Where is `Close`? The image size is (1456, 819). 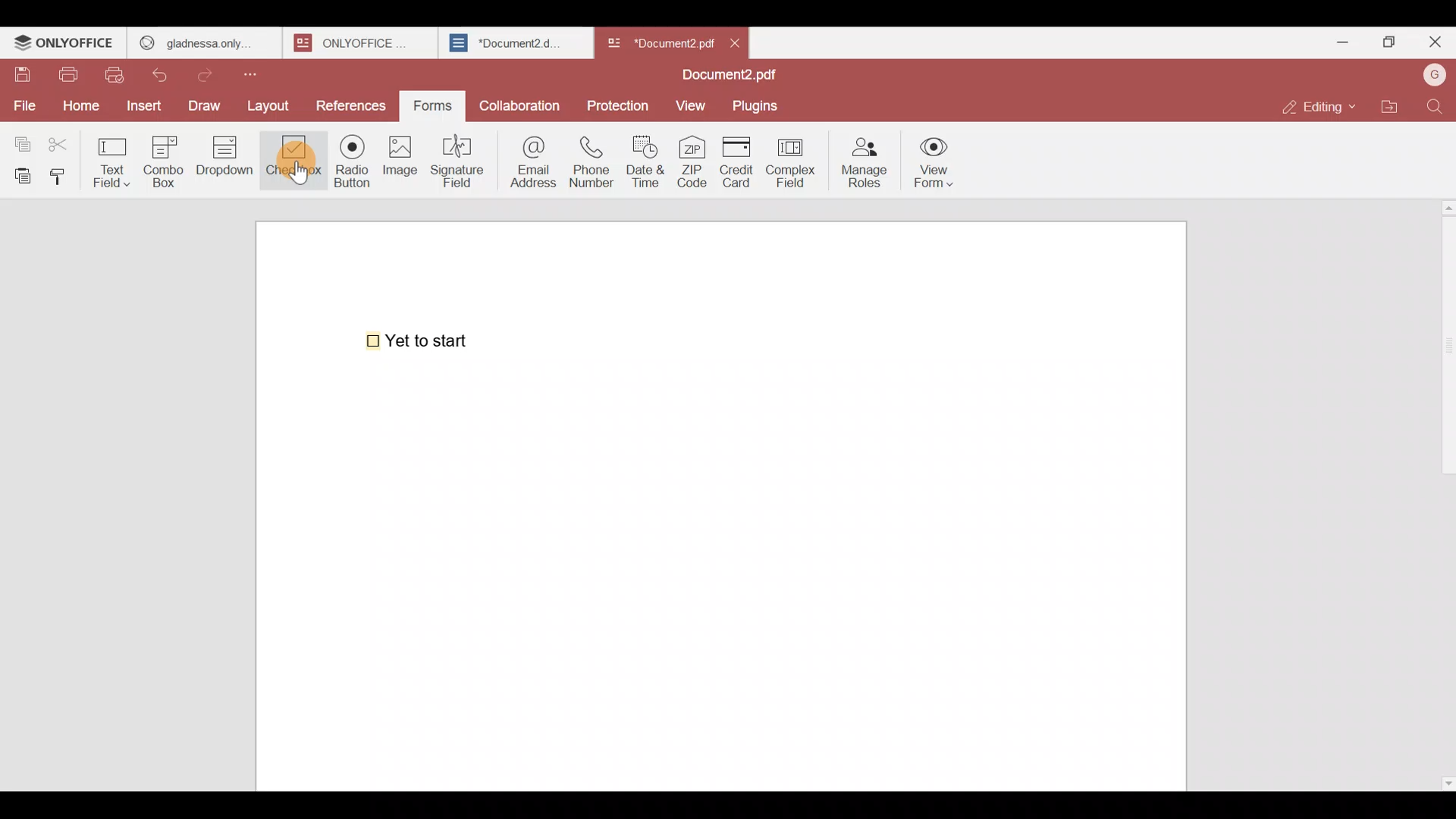 Close is located at coordinates (1434, 45).